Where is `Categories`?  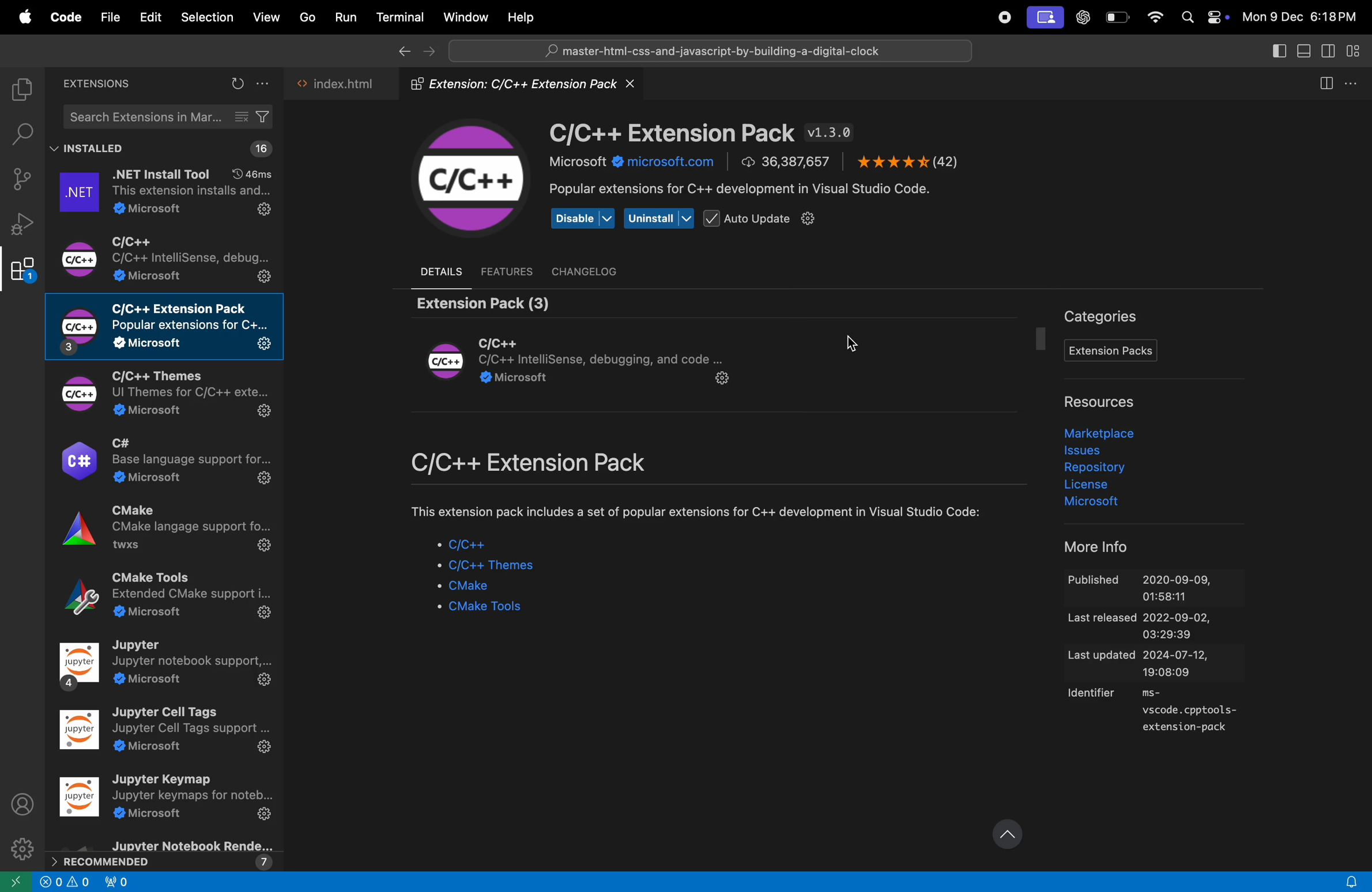 Categories is located at coordinates (1106, 317).